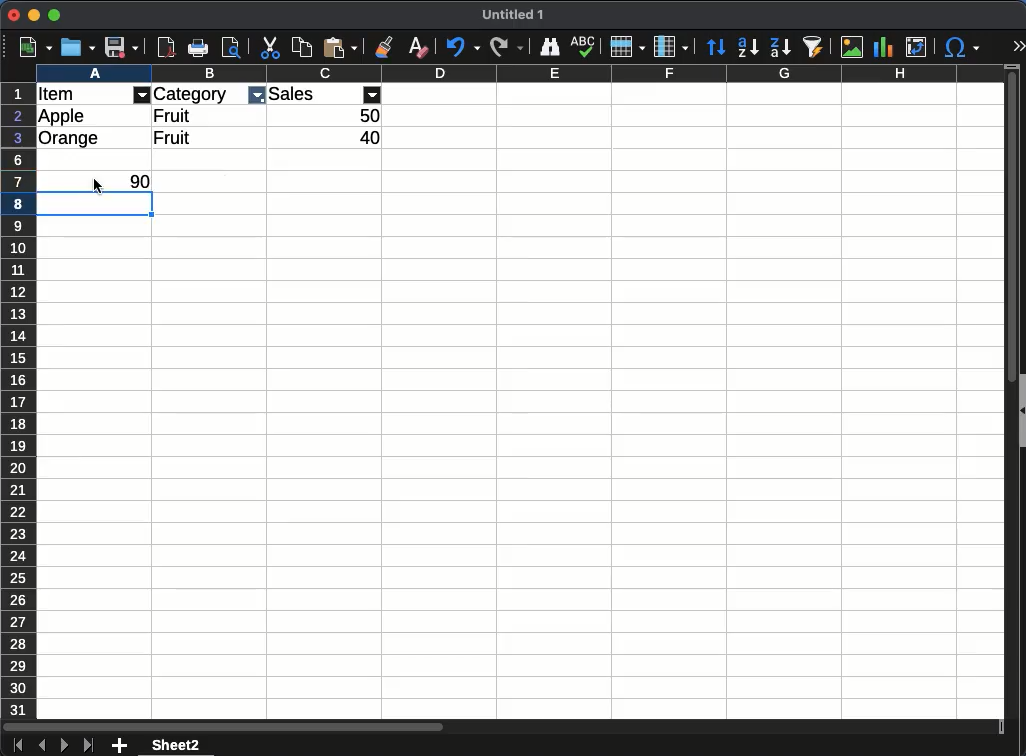 The height and width of the screenshot is (756, 1026). Describe the element at coordinates (370, 116) in the screenshot. I see `50` at that location.